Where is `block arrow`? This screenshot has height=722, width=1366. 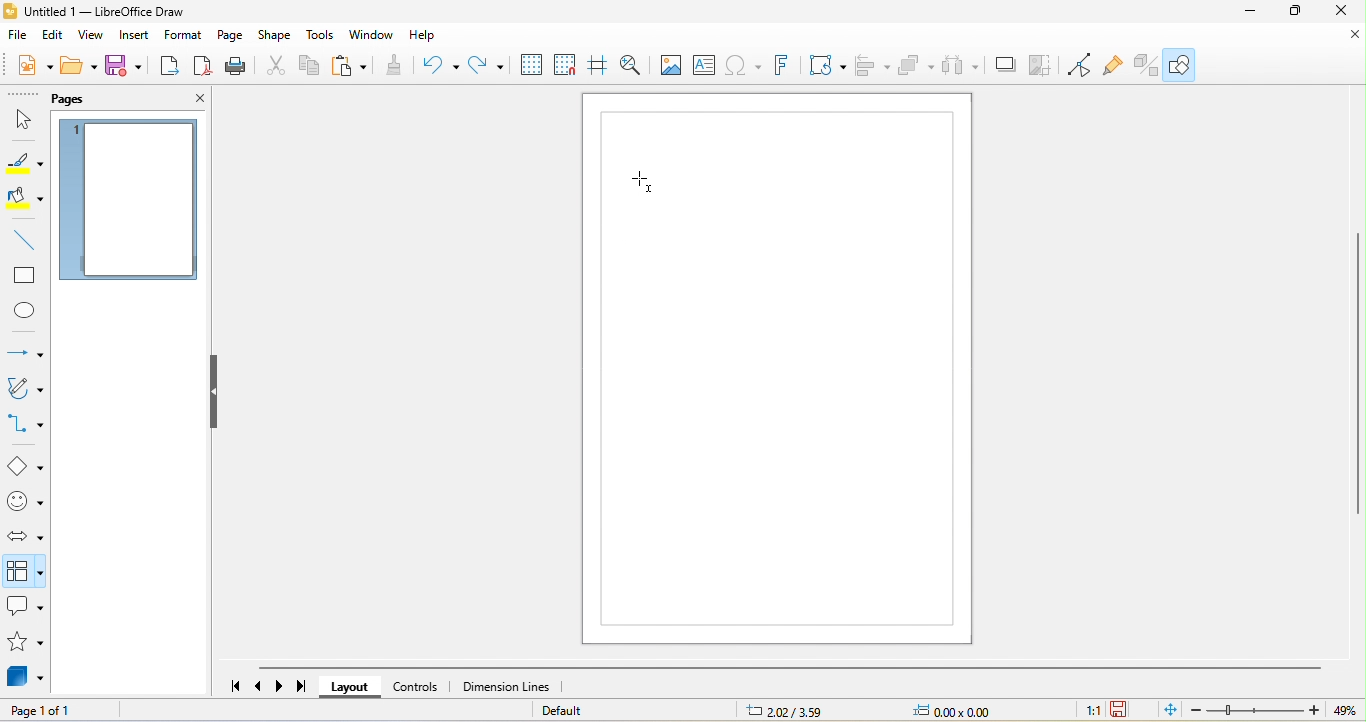
block arrow is located at coordinates (23, 536).